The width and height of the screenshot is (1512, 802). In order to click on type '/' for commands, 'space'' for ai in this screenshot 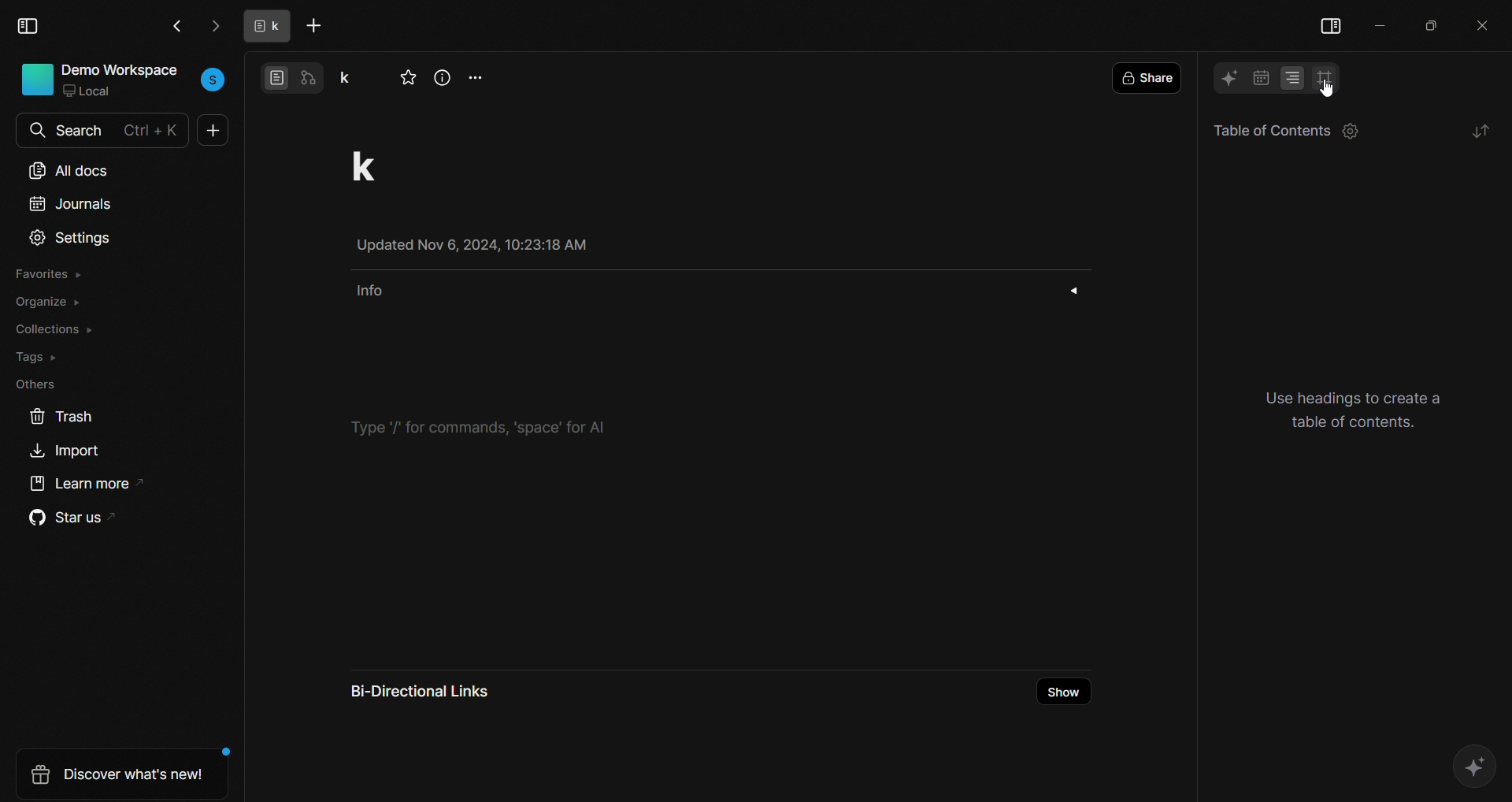, I will do `click(487, 425)`.